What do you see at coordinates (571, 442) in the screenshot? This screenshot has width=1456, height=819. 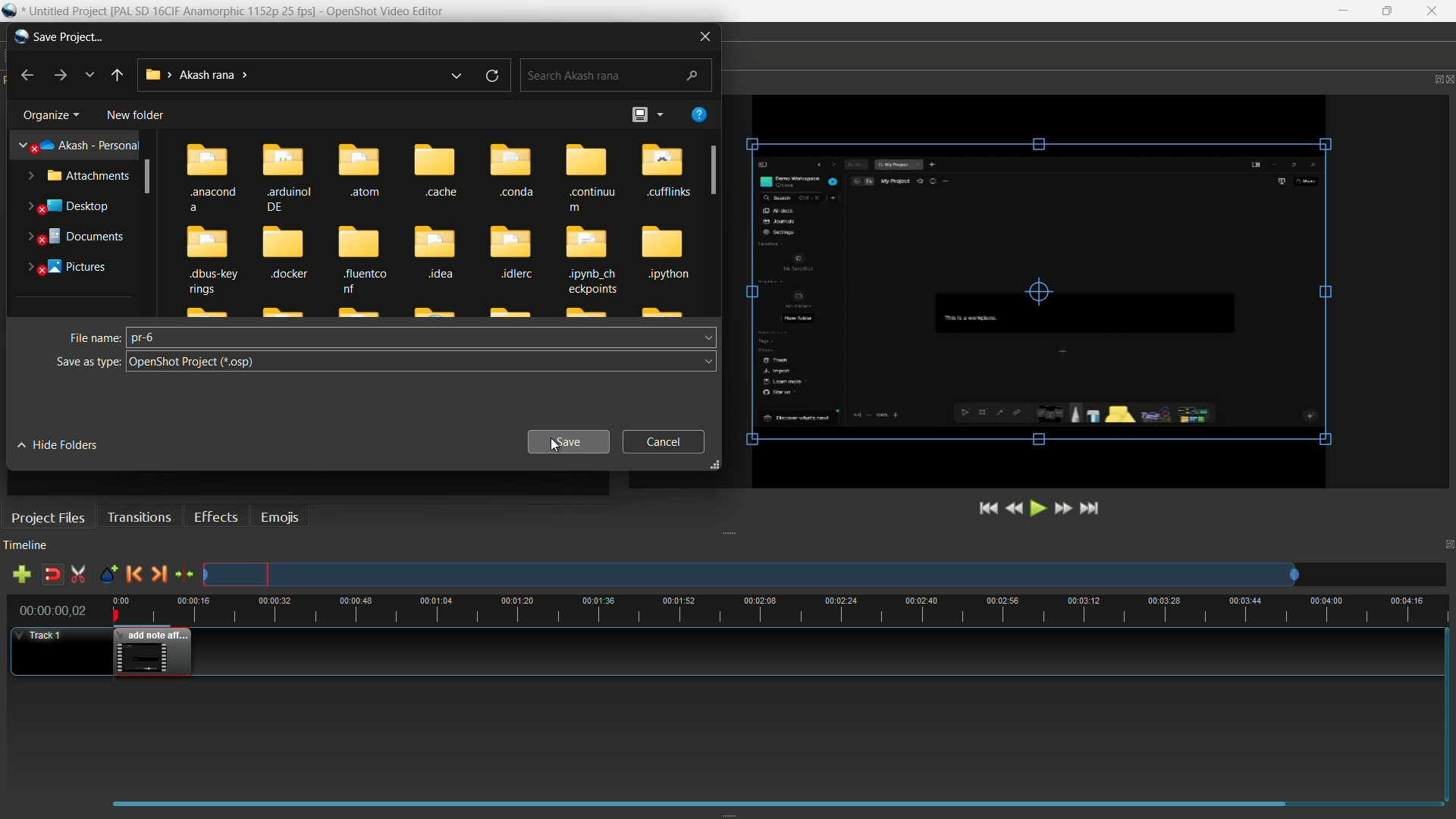 I see `save` at bounding box center [571, 442].